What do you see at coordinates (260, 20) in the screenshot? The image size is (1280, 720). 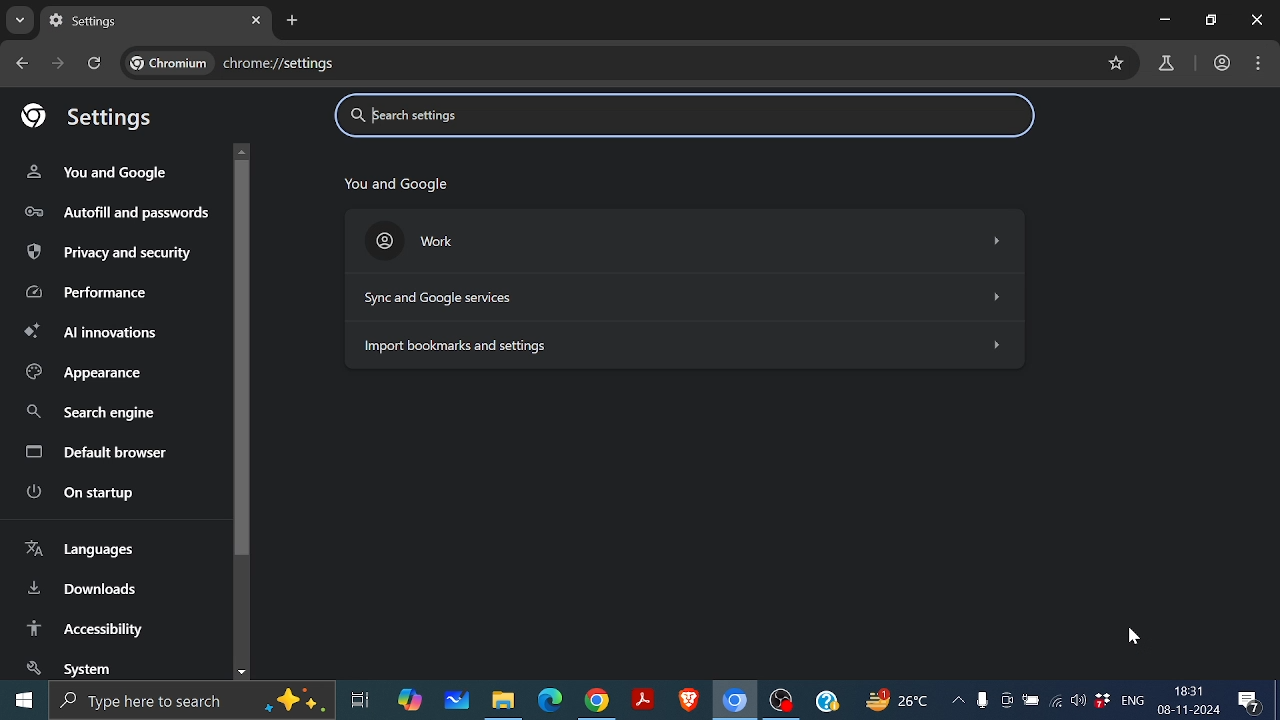 I see `Close current tab` at bounding box center [260, 20].